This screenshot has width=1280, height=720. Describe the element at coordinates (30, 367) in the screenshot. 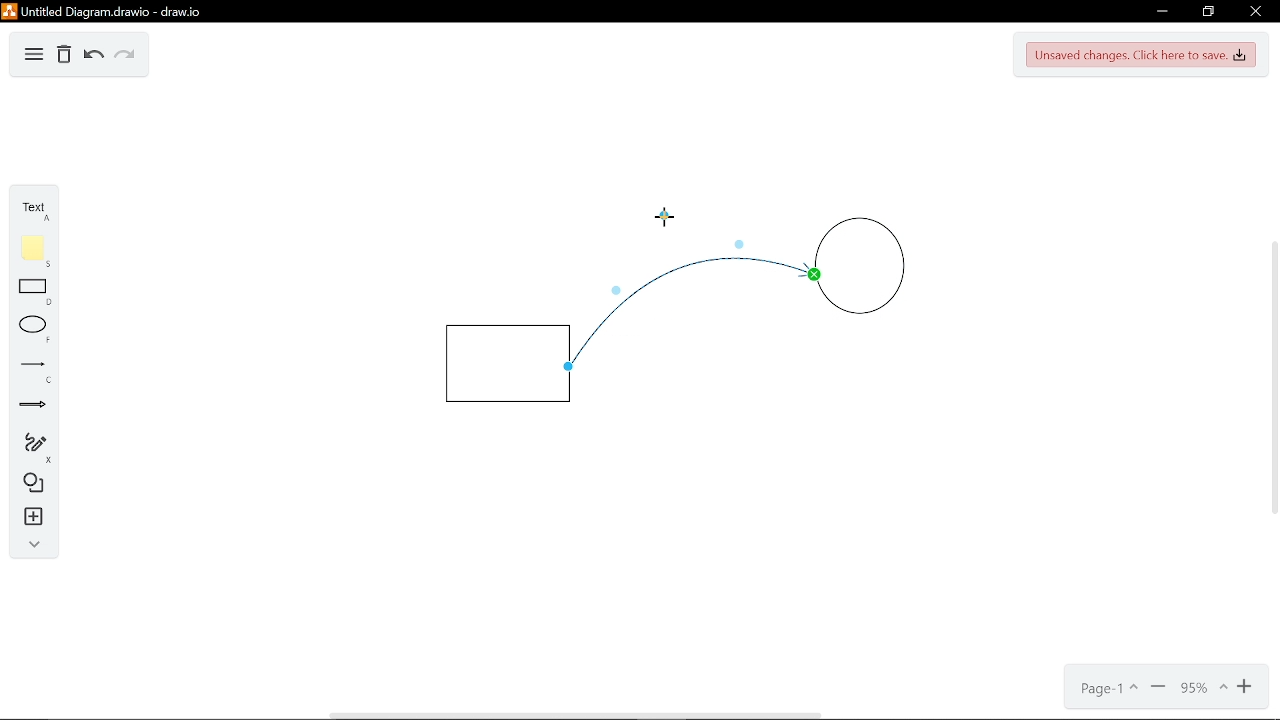

I see `Line` at that location.